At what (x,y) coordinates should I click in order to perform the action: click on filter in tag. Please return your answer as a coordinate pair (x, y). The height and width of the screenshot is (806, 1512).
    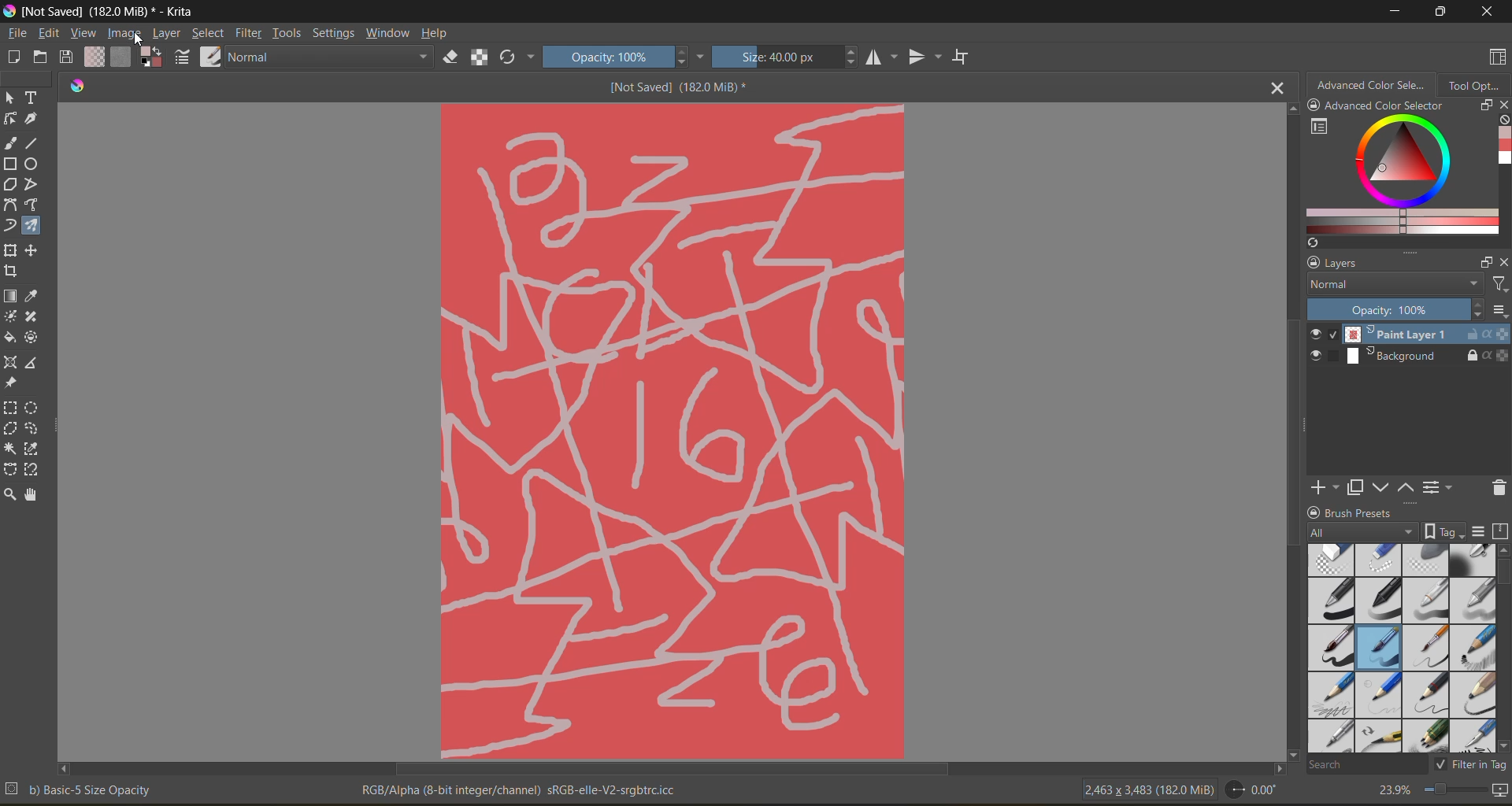
    Looking at the image, I should click on (1468, 766).